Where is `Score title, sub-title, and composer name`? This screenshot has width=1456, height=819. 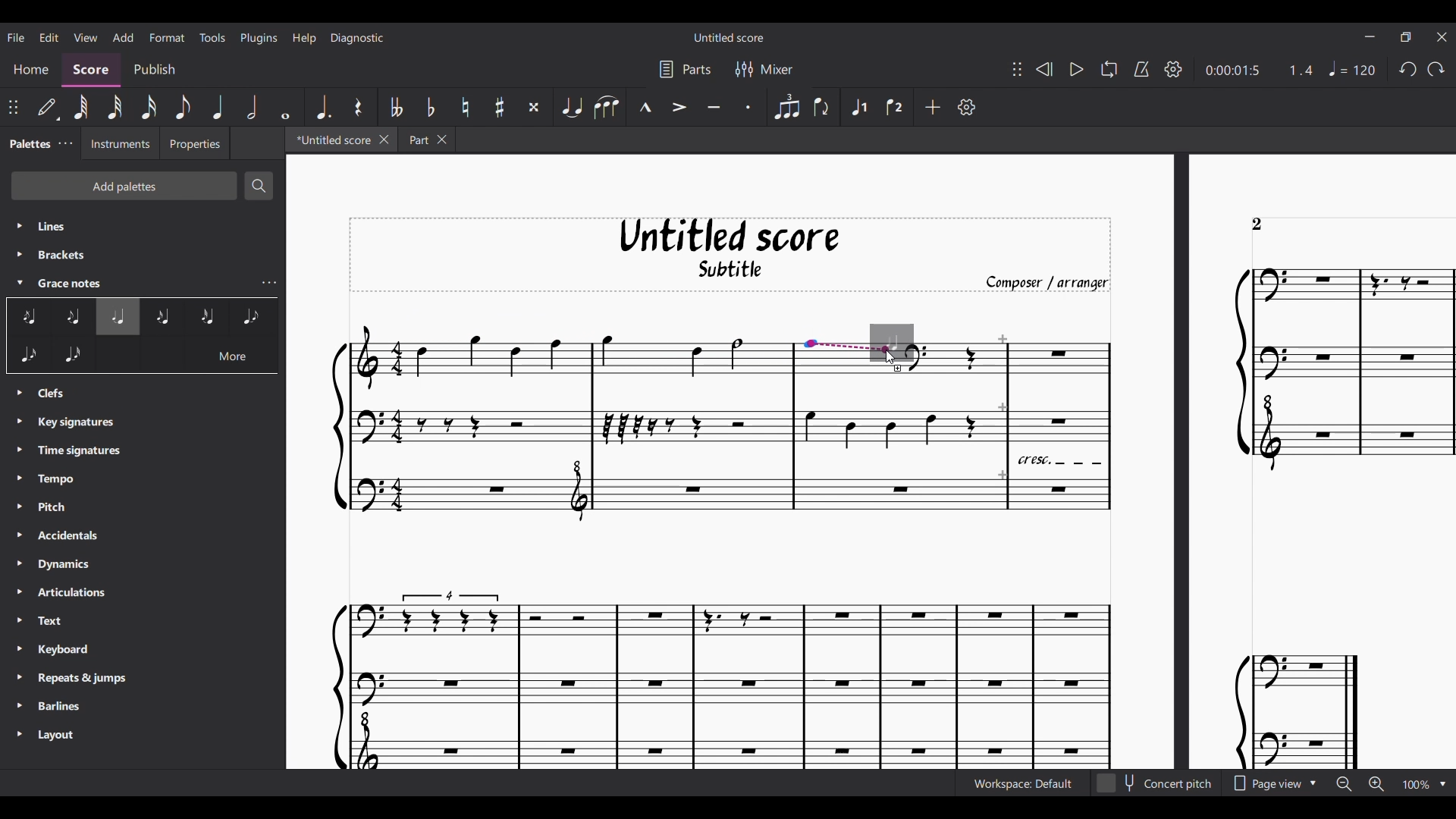 Score title, sub-title, and composer name is located at coordinates (730, 255).